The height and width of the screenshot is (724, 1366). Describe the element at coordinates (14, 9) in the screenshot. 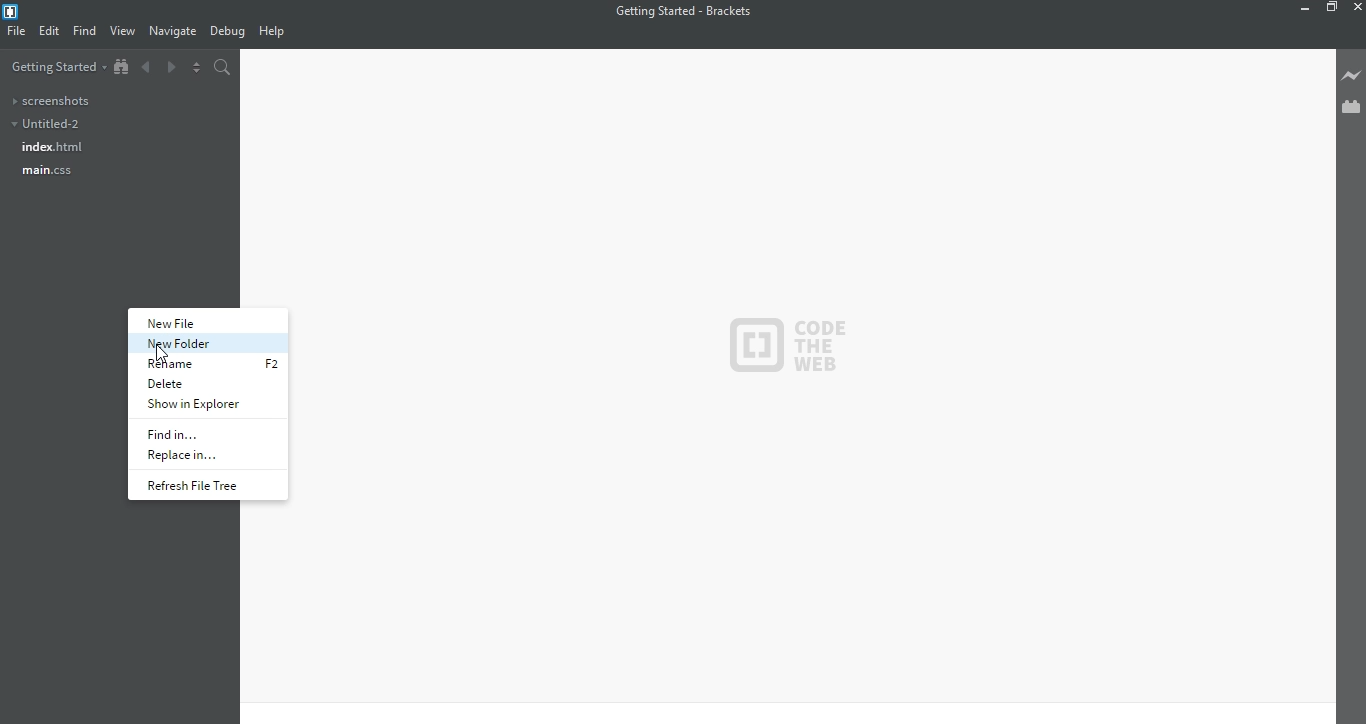

I see `brackets icon` at that location.